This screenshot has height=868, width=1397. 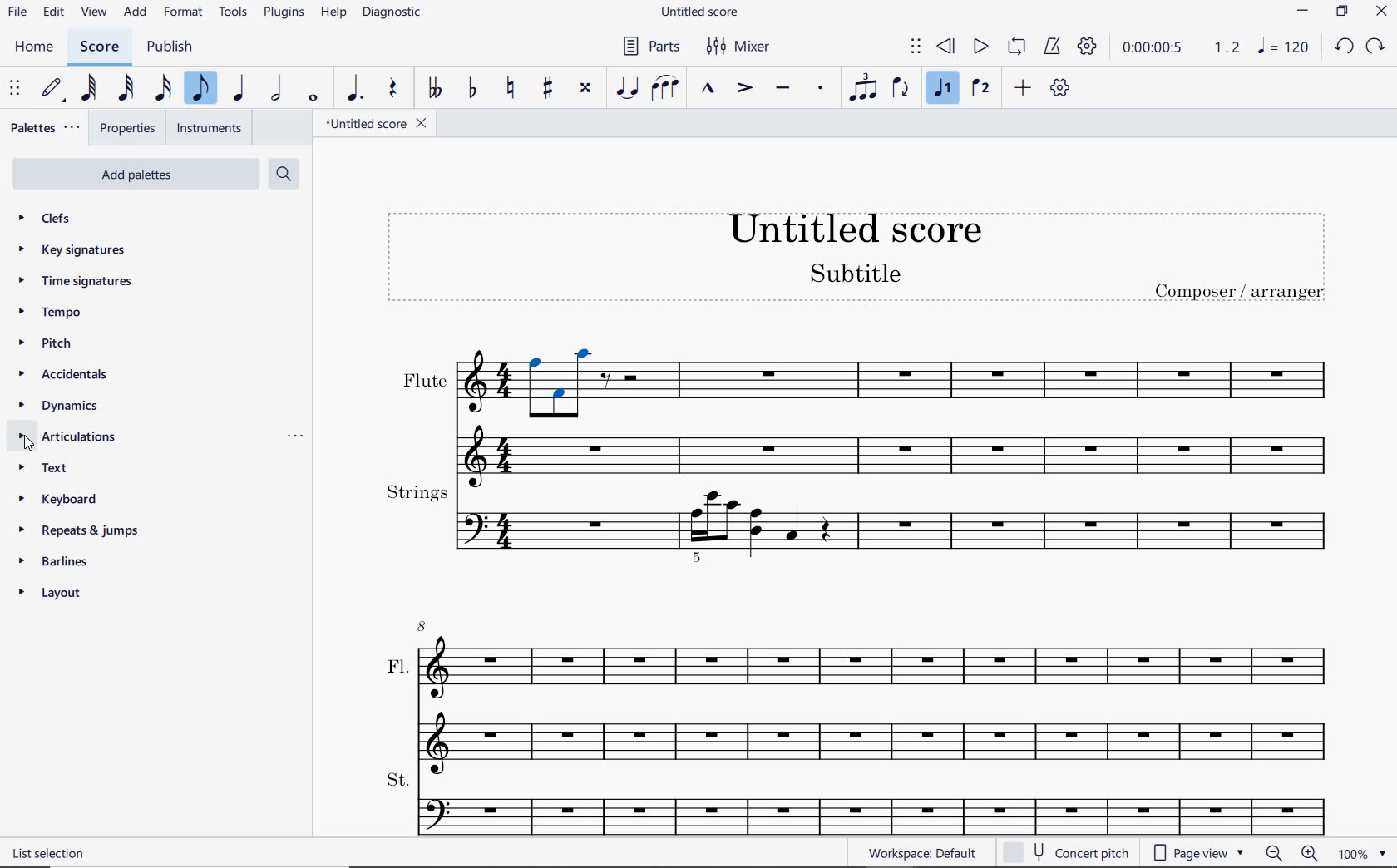 What do you see at coordinates (54, 560) in the screenshot?
I see `barlines` at bounding box center [54, 560].